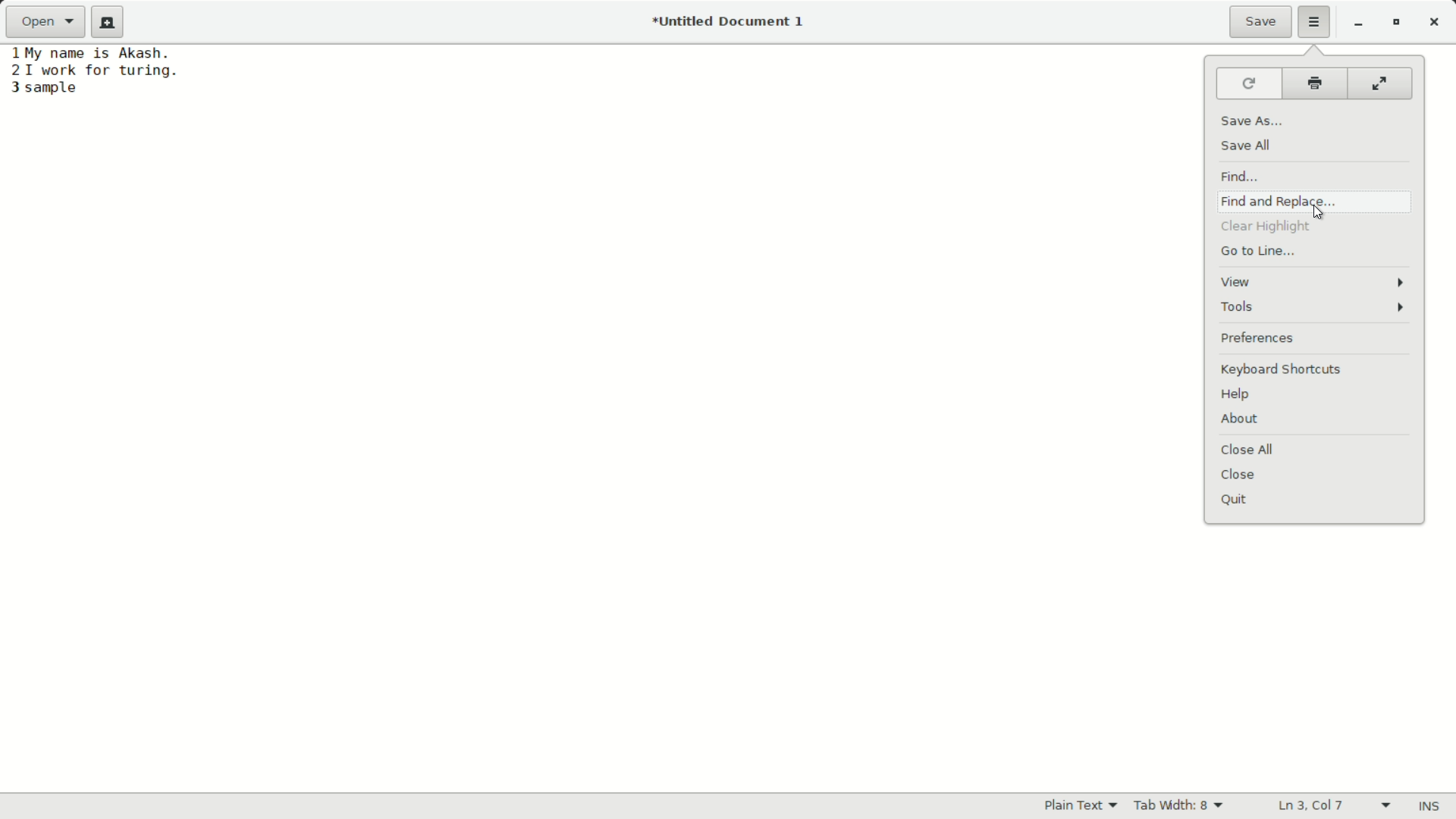  I want to click on tools, so click(1320, 310).